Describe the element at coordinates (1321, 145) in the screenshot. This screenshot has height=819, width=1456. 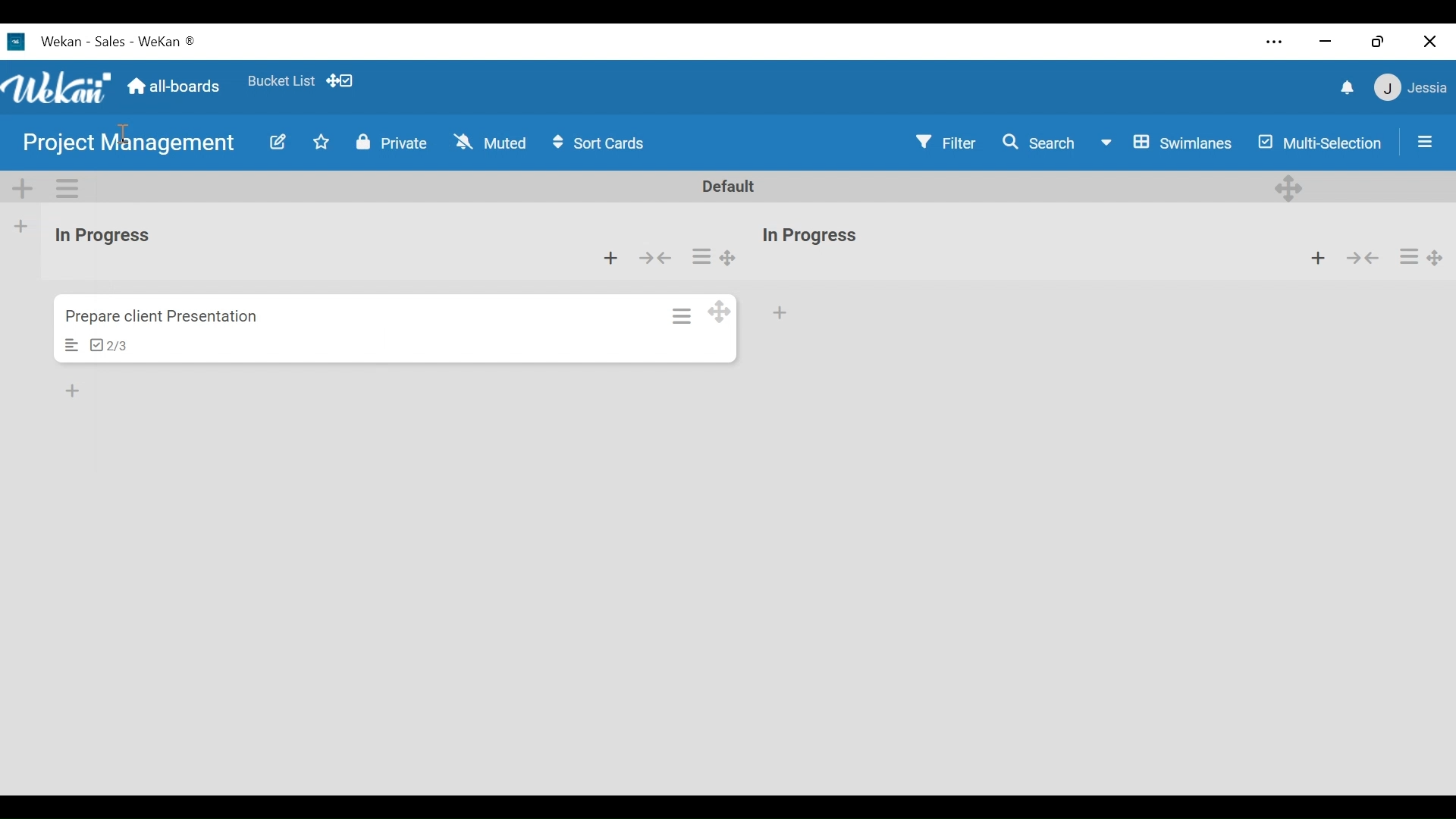
I see `Multi Selection` at that location.